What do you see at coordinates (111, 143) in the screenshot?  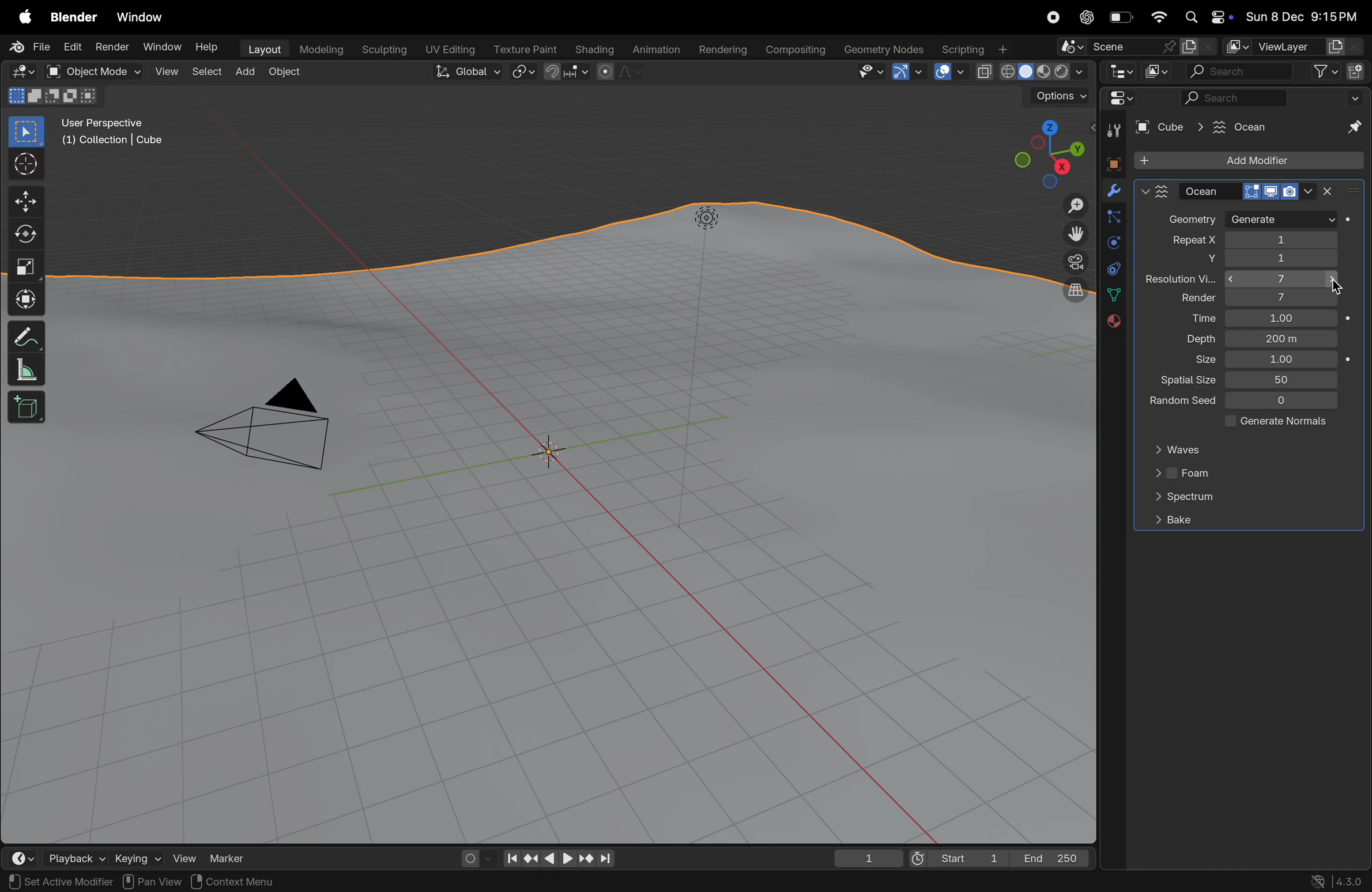 I see `use collection cube` at bounding box center [111, 143].